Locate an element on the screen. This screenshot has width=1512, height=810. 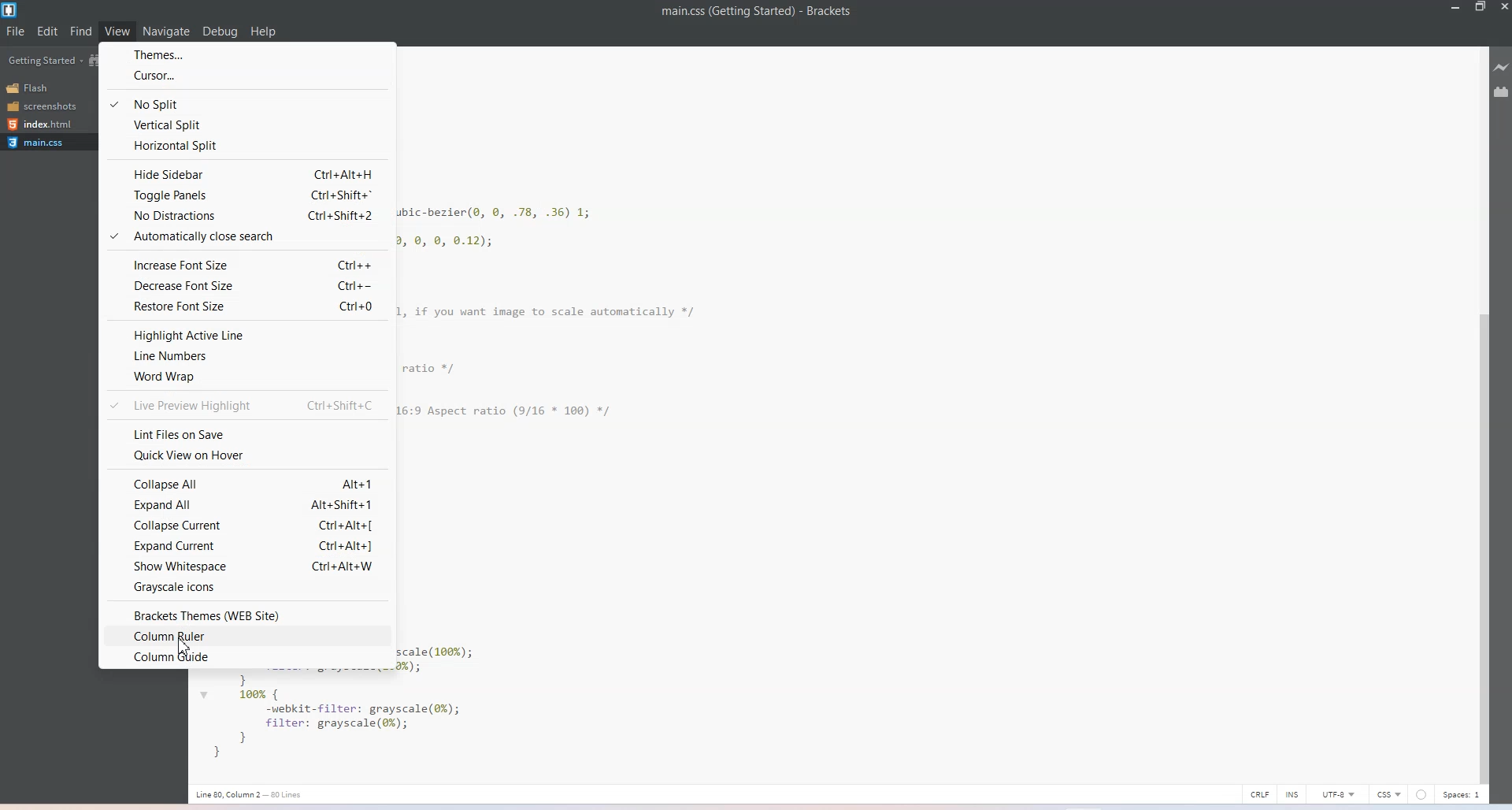
decrease font size is located at coordinates (248, 285).